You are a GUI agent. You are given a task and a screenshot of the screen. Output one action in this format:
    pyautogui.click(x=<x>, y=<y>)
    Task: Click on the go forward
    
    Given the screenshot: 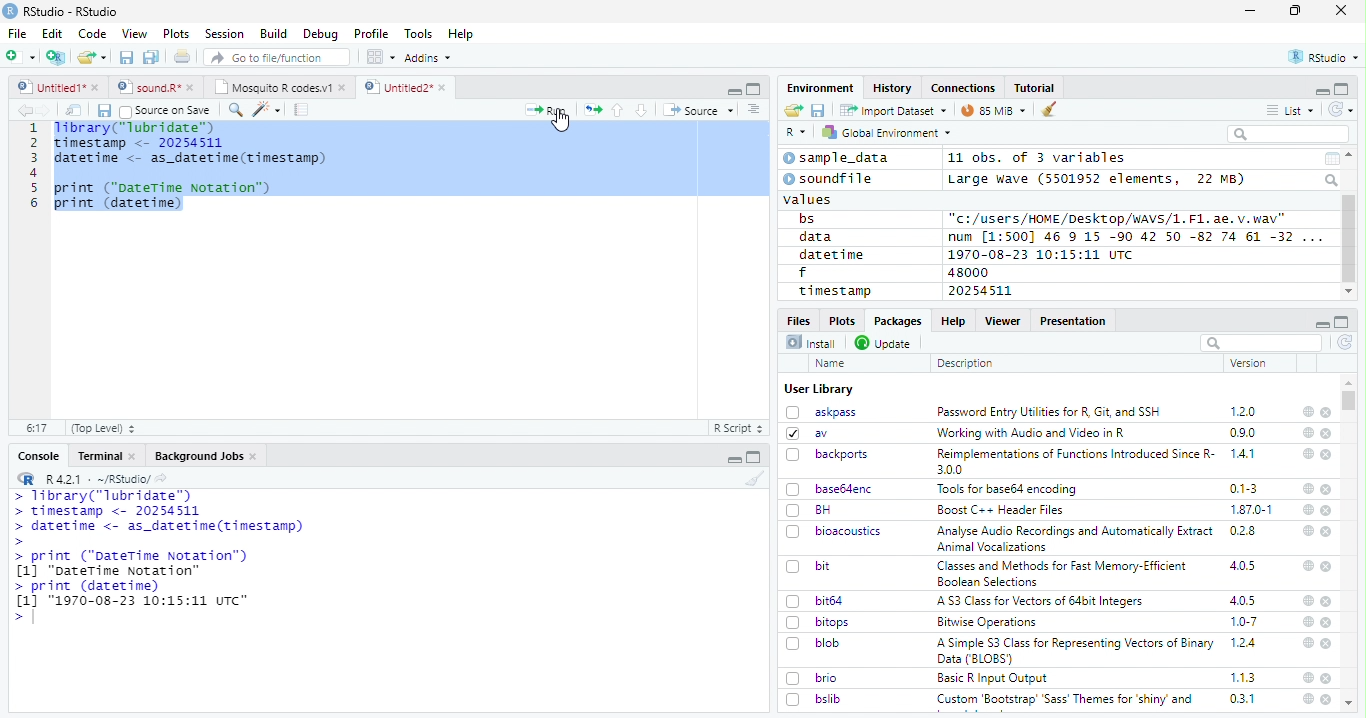 What is the action you would take?
    pyautogui.click(x=48, y=110)
    